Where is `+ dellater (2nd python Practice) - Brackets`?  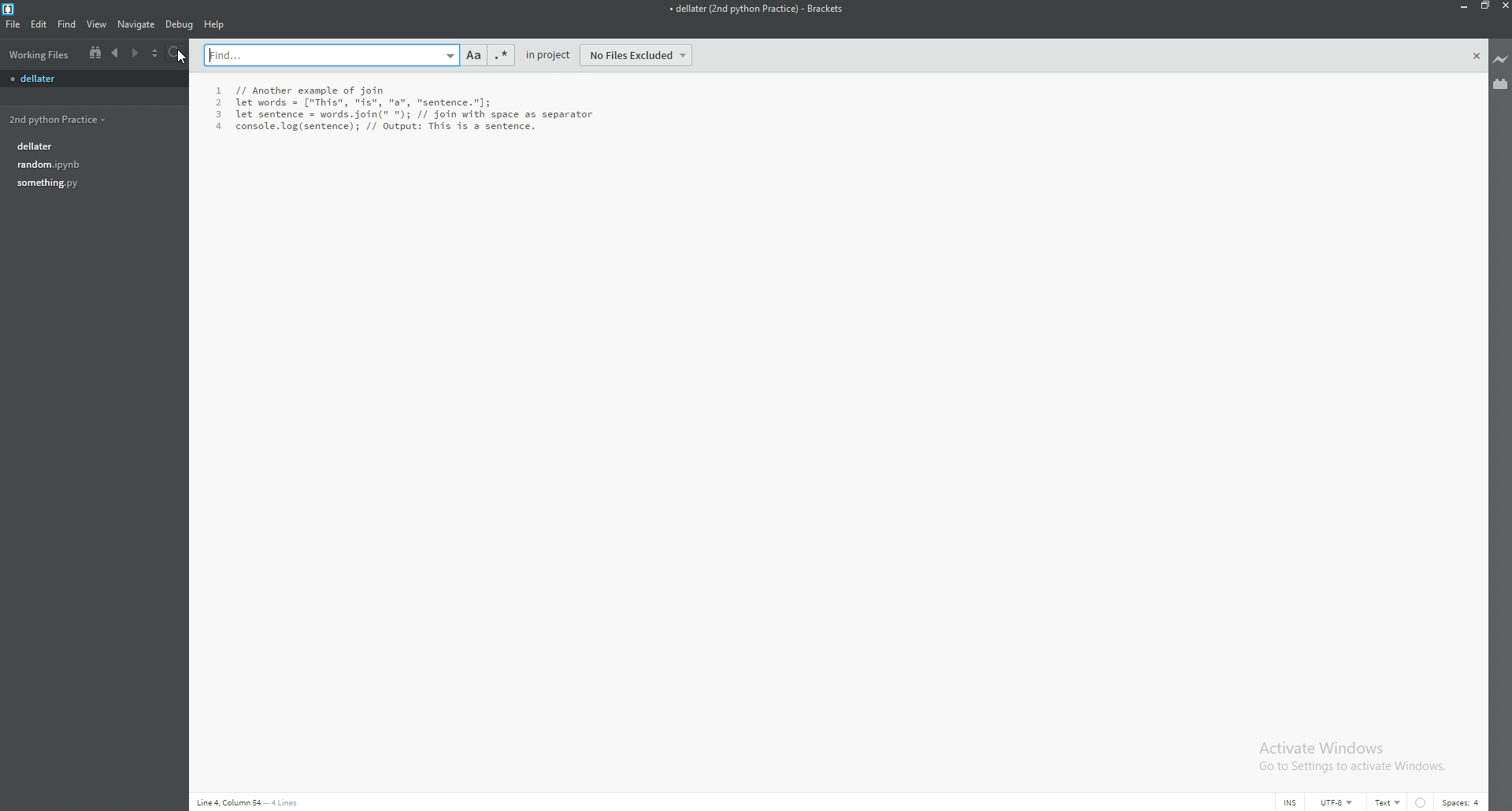 + dellater (2nd python Practice) - Brackets is located at coordinates (769, 17).